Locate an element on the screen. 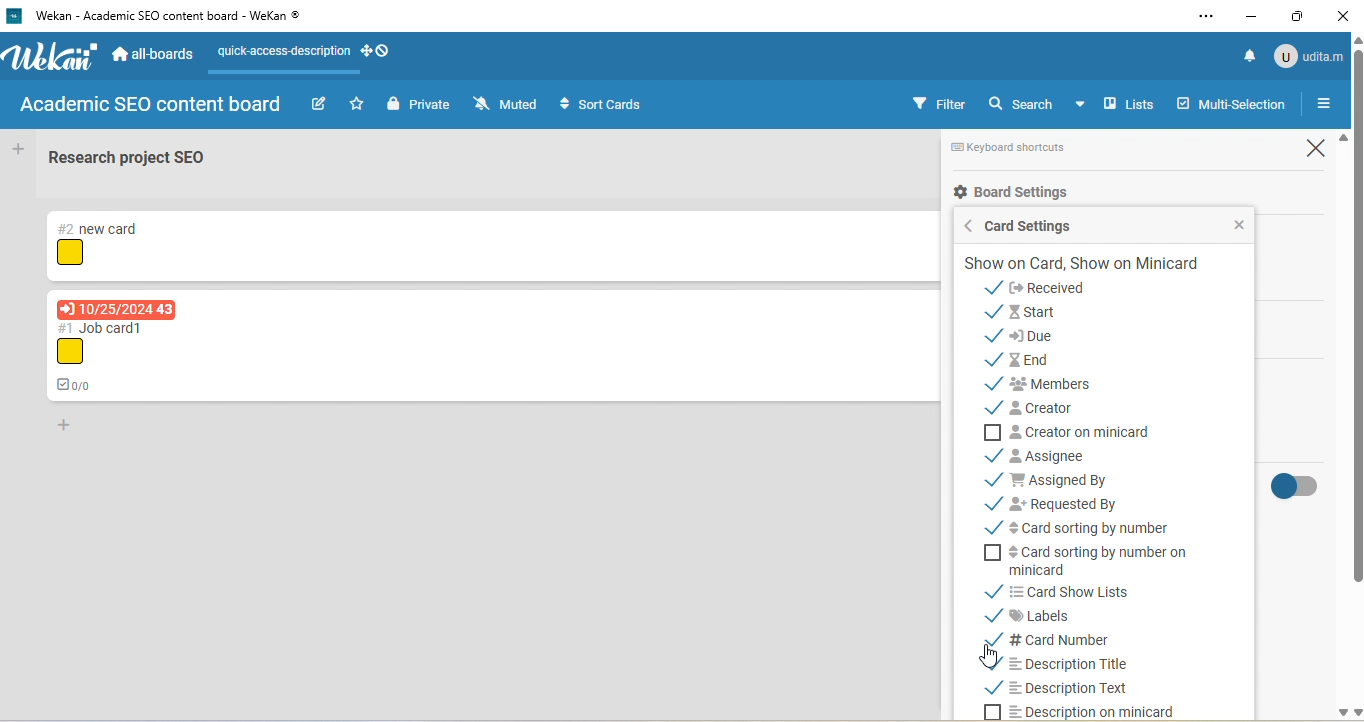 The width and height of the screenshot is (1364, 722). scroll down is located at coordinates (1340, 714).